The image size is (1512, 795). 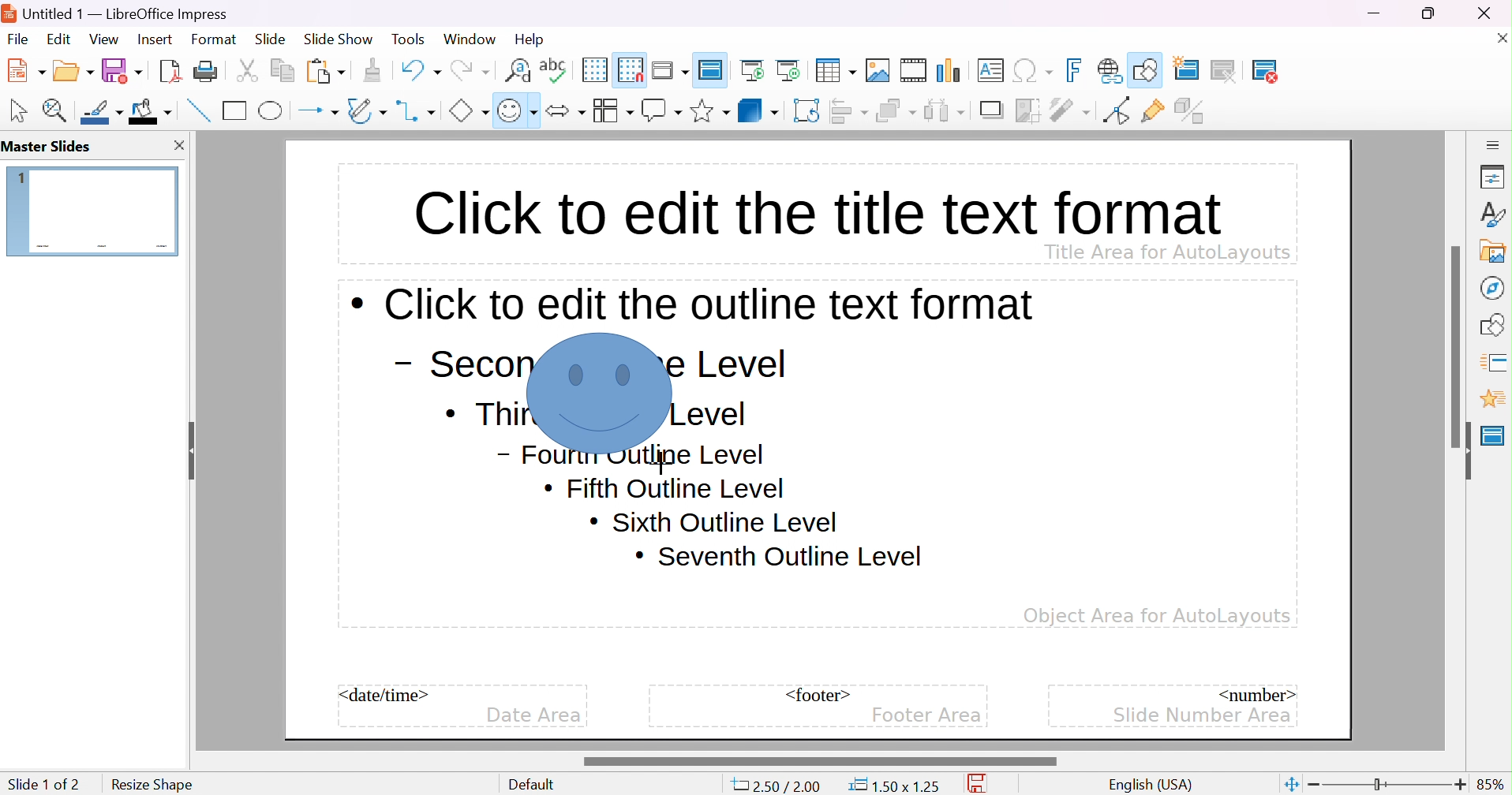 What do you see at coordinates (553, 66) in the screenshot?
I see `spelling` at bounding box center [553, 66].